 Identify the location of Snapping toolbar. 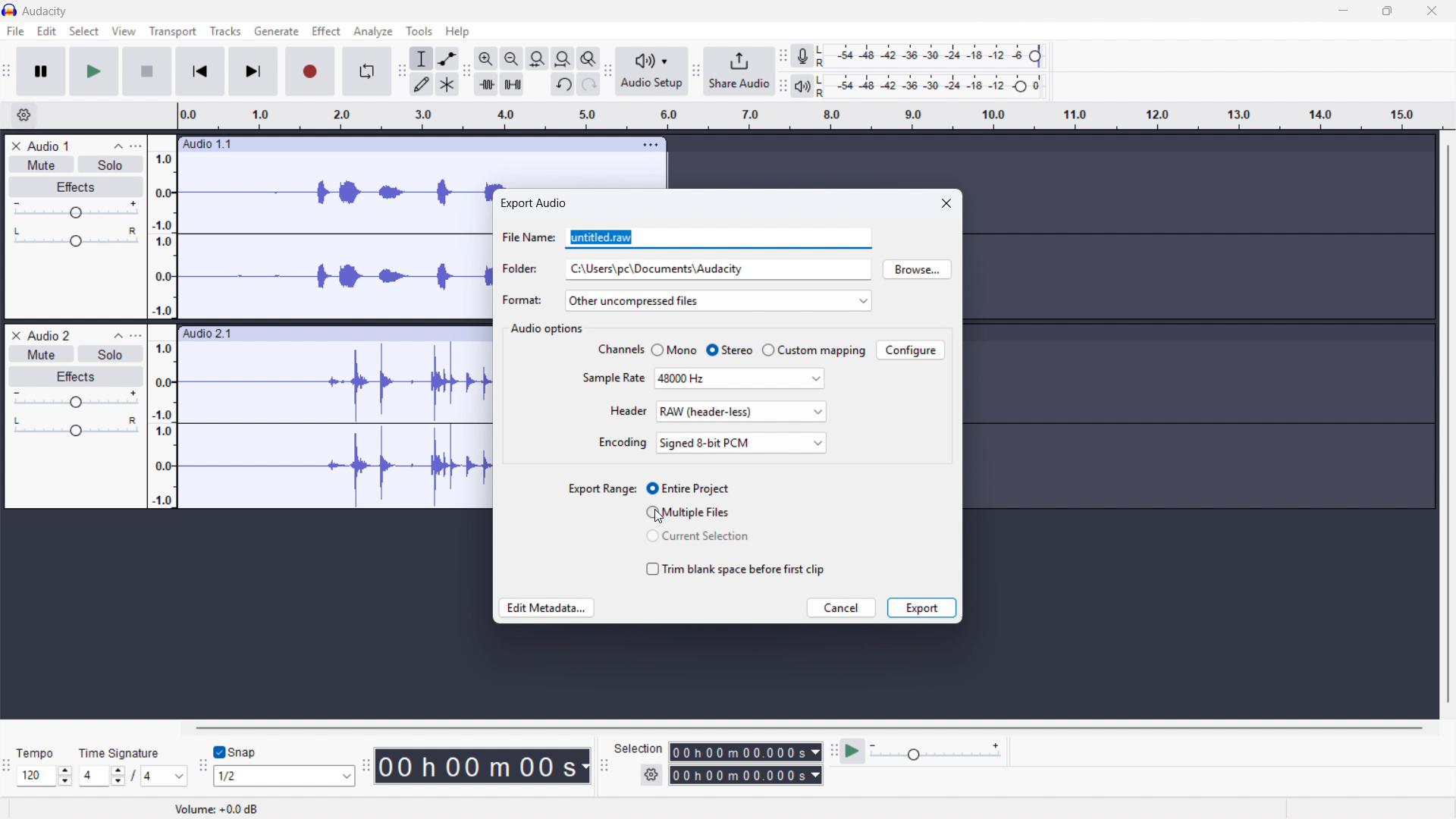
(203, 769).